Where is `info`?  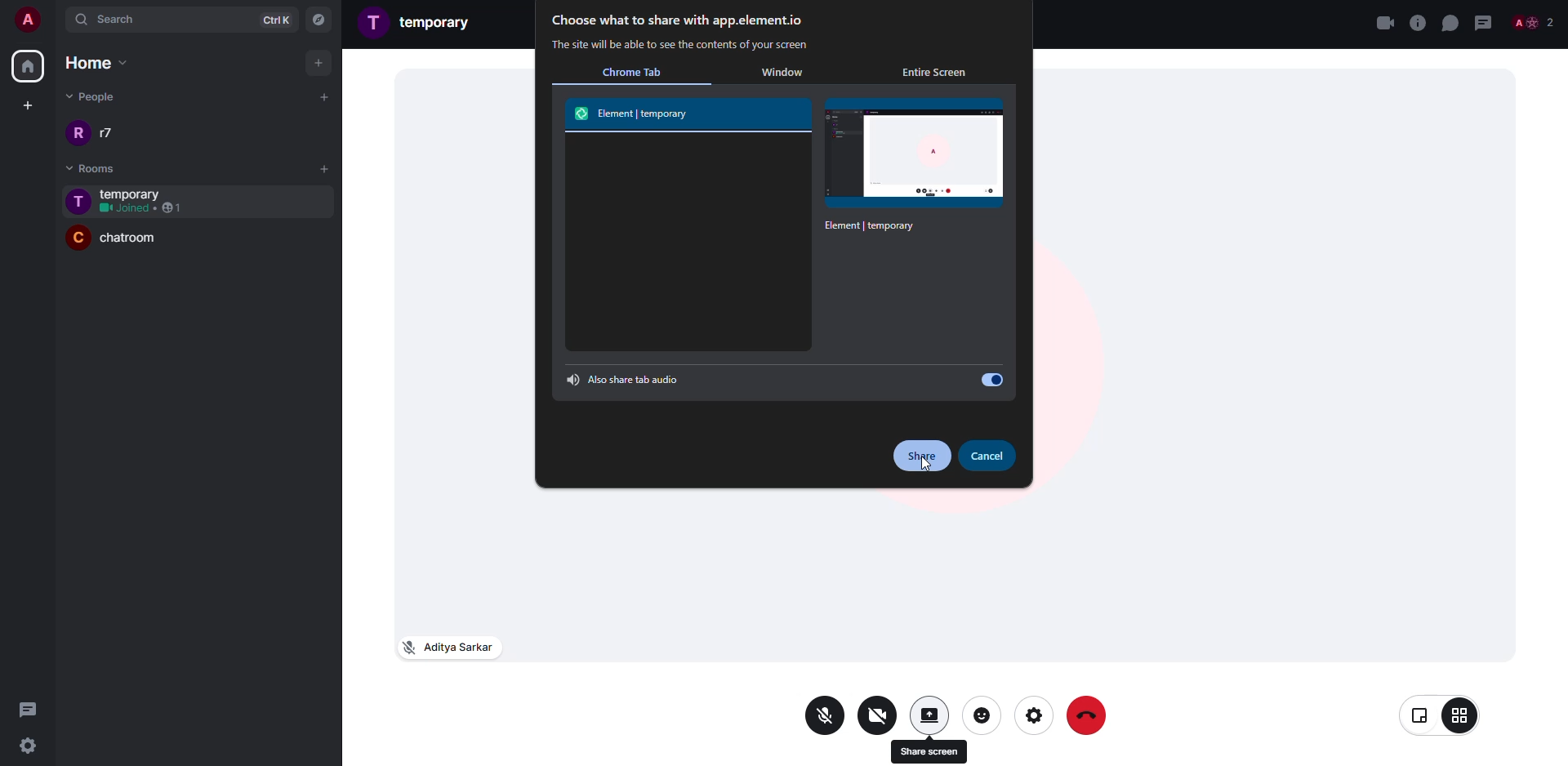
info is located at coordinates (680, 46).